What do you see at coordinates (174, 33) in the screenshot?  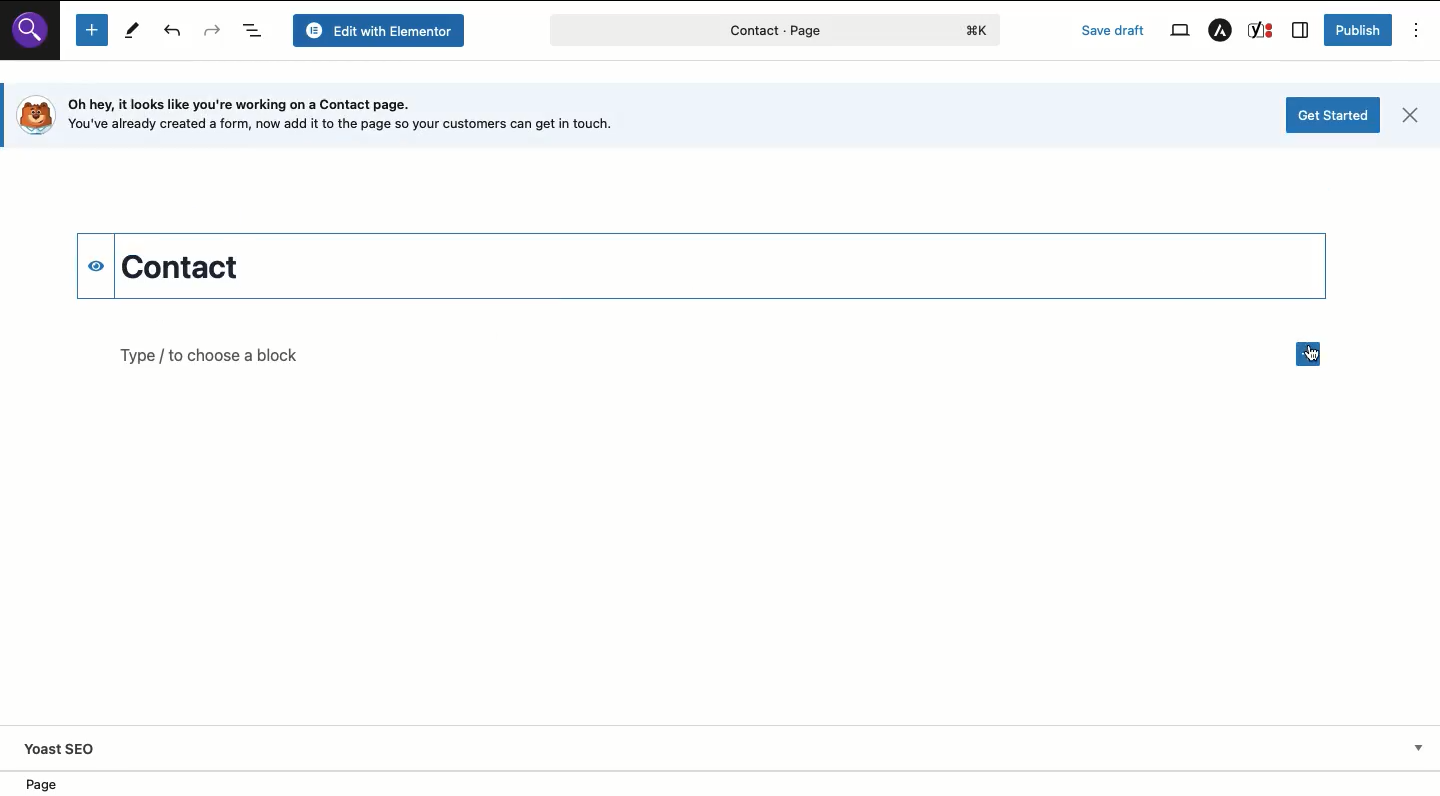 I see `Undo` at bounding box center [174, 33].